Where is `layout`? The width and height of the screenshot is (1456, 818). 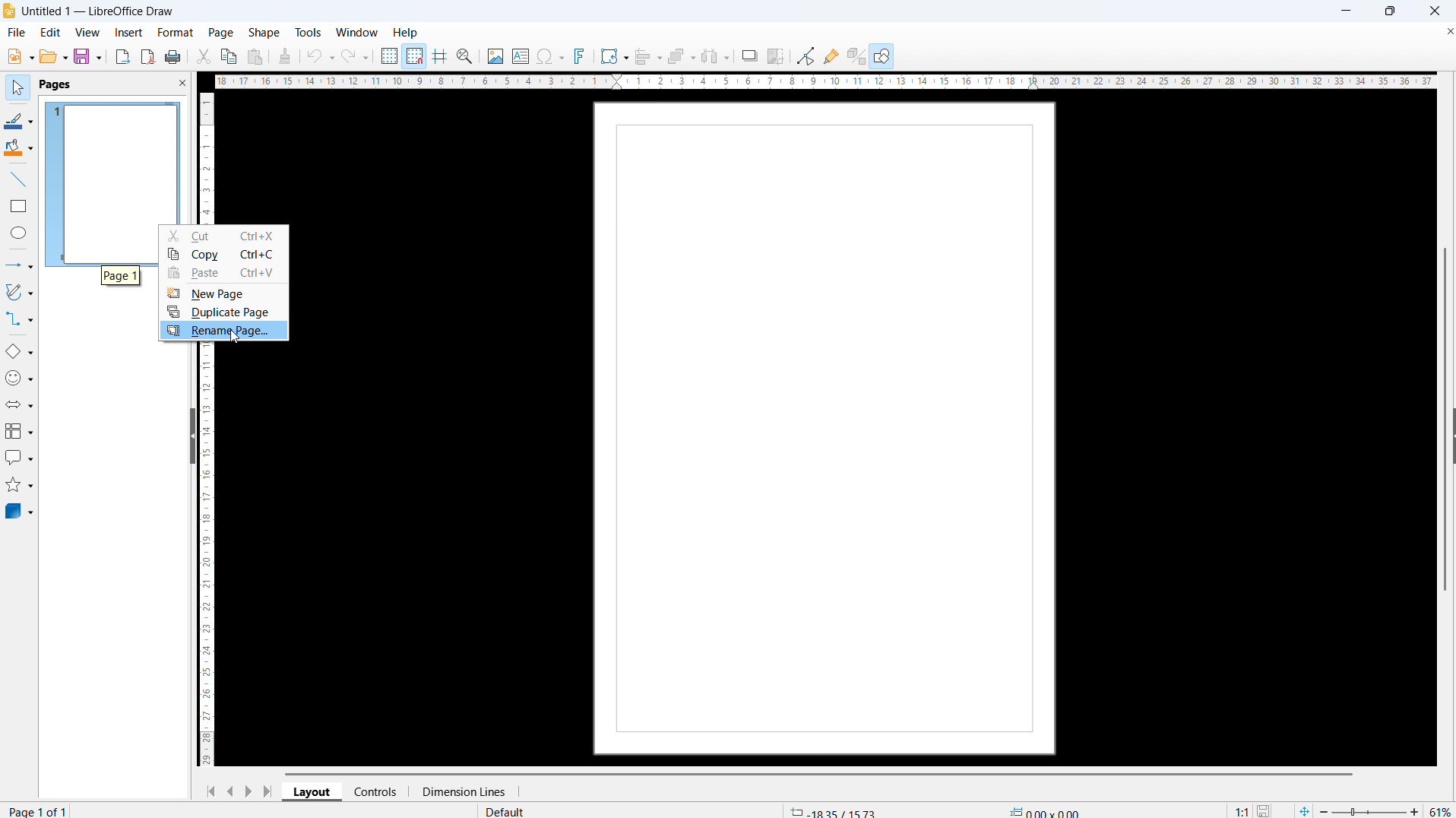 layout is located at coordinates (312, 792).